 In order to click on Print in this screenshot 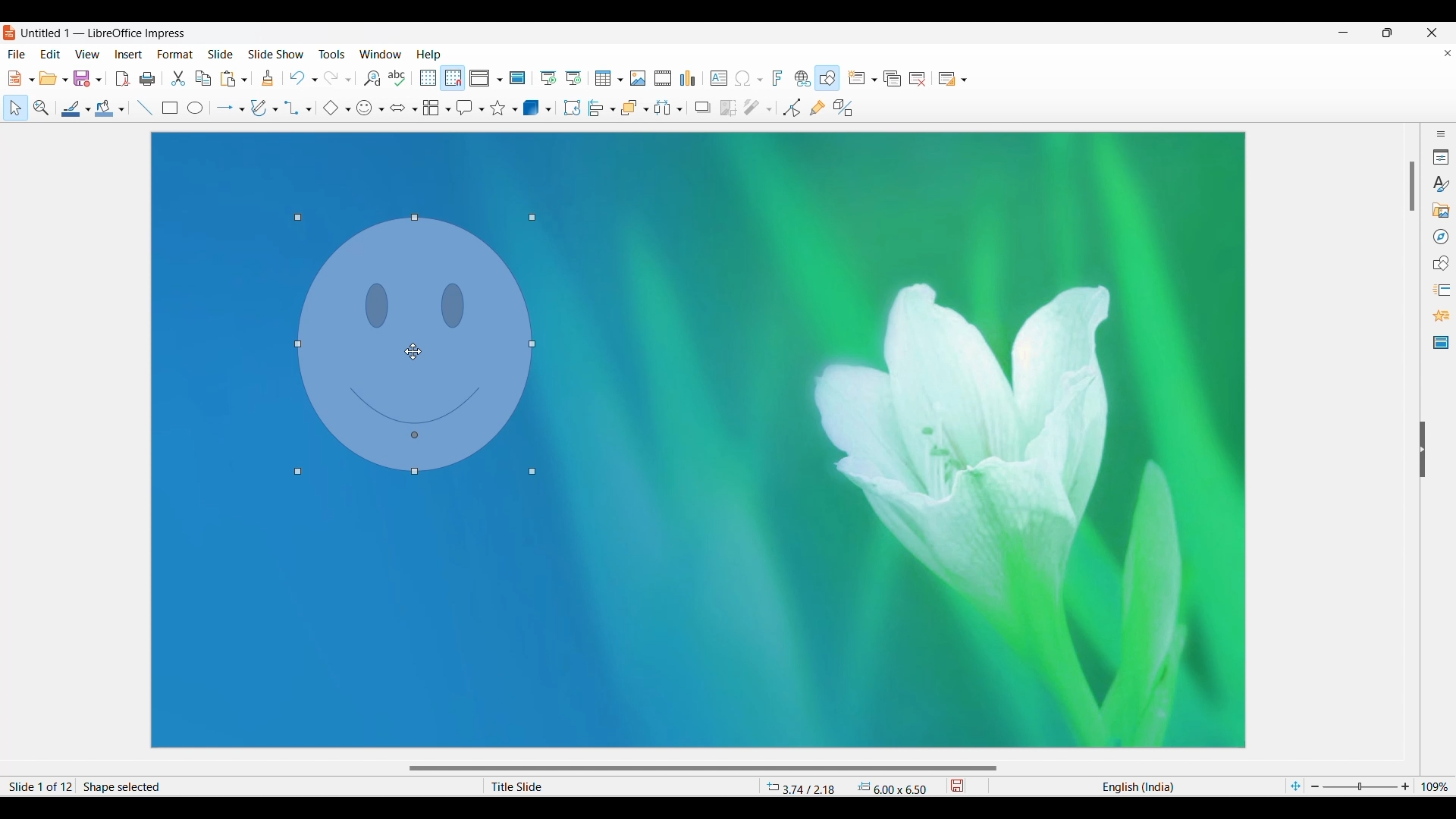, I will do `click(147, 79)`.